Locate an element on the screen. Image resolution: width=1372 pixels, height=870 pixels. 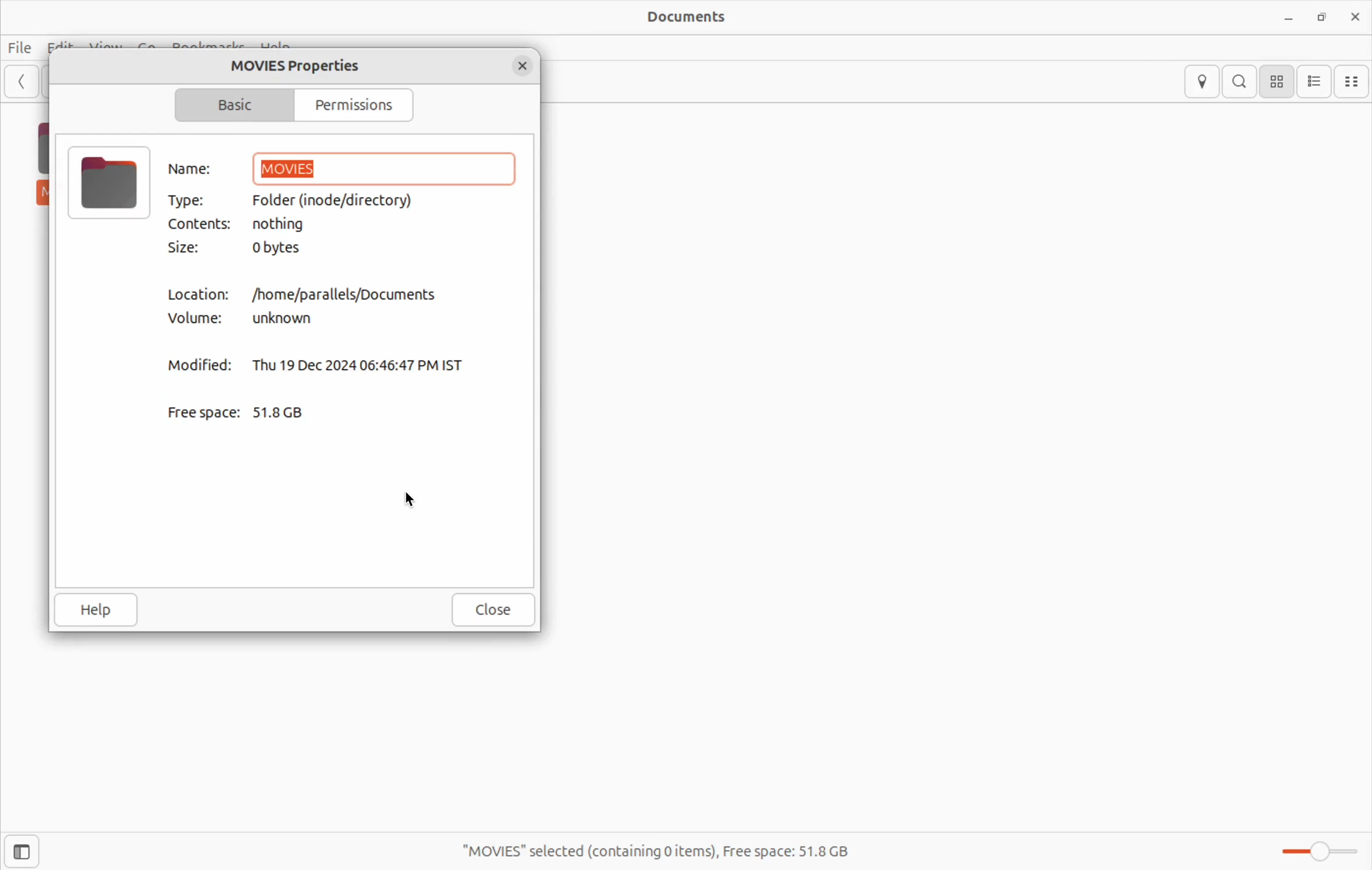
icon view is located at coordinates (1280, 82).